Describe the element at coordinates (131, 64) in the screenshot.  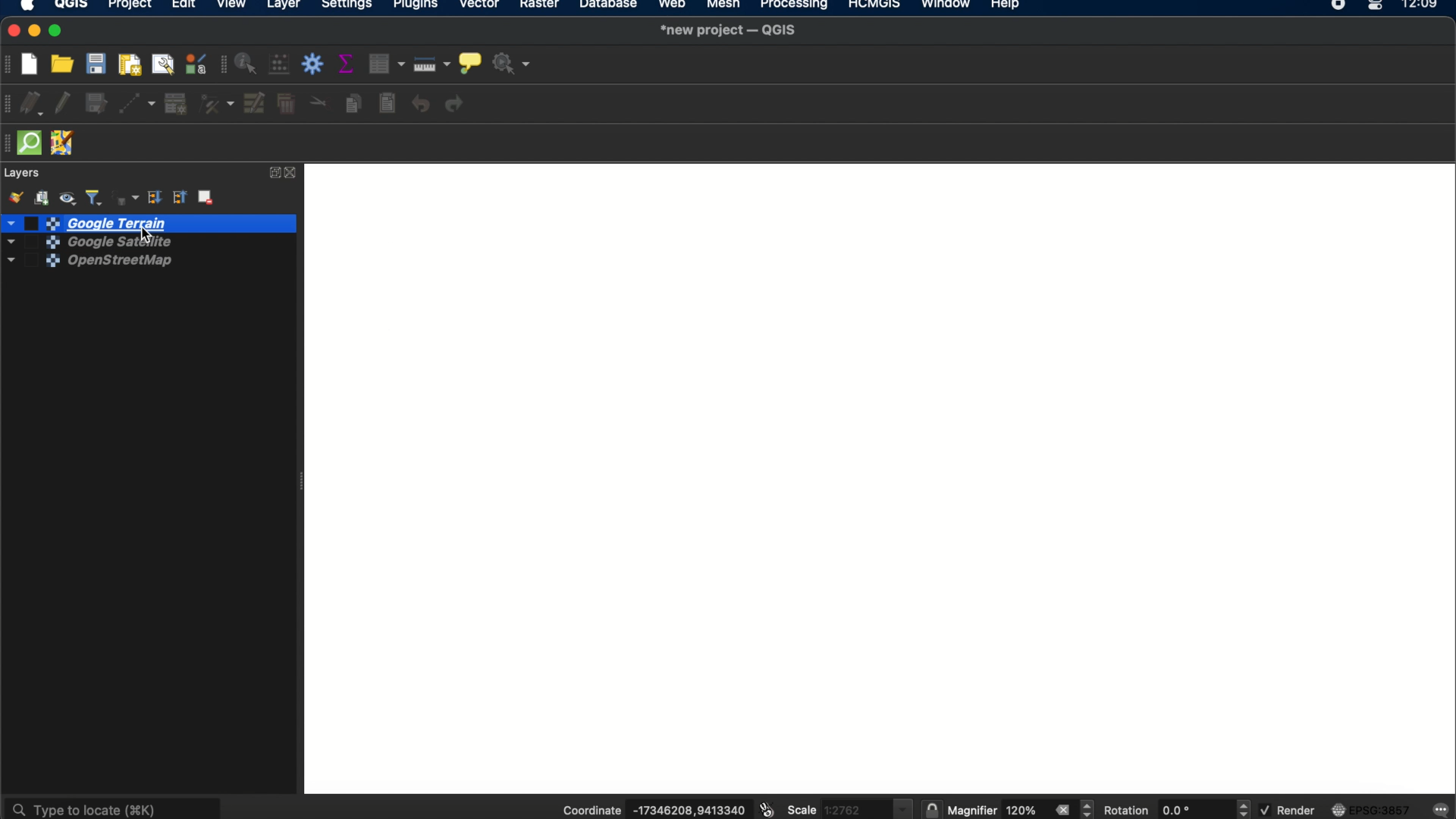
I see `new print layout` at that location.